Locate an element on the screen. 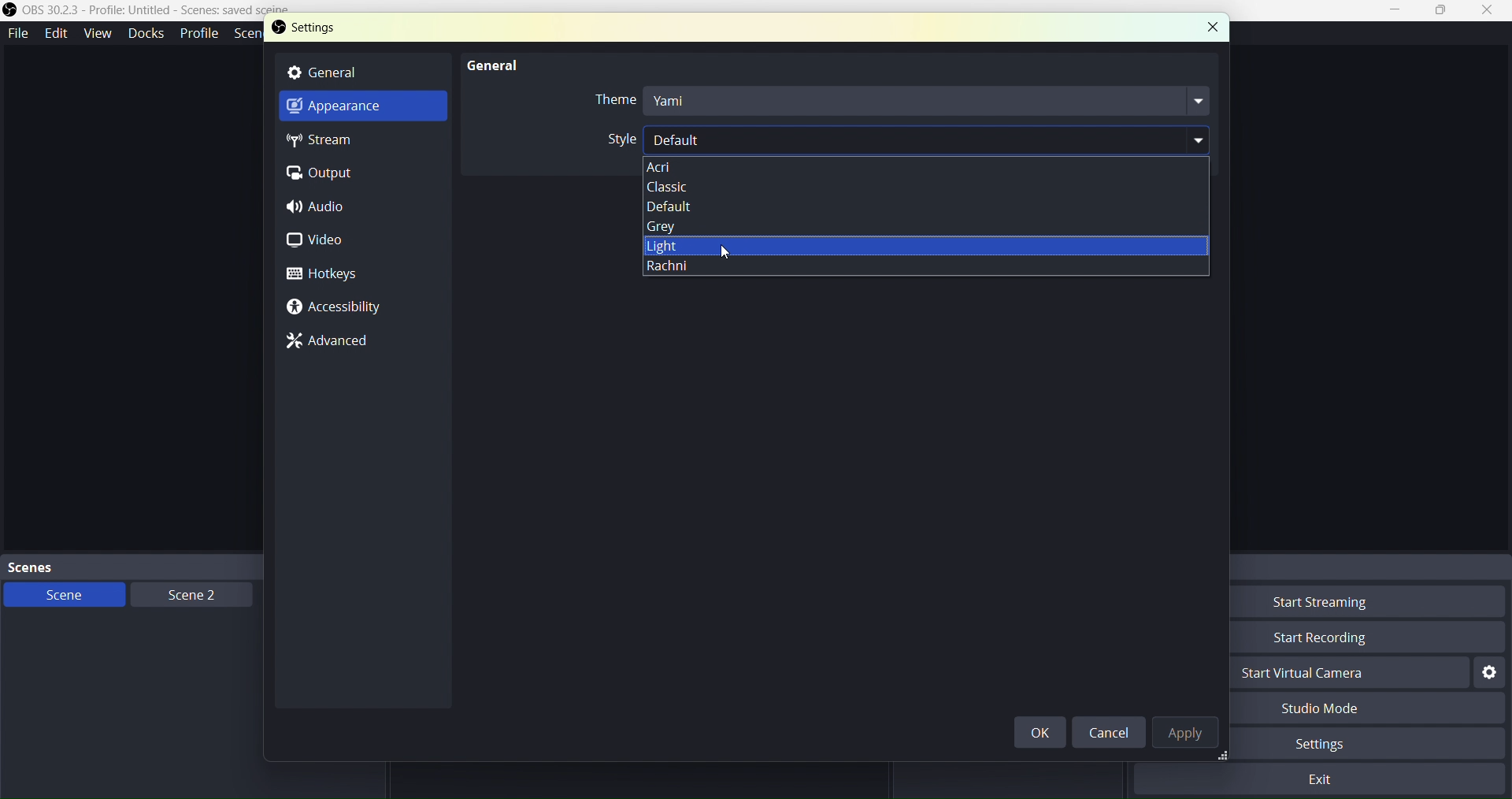 This screenshot has height=799, width=1512. Settings is located at coordinates (1343, 745).